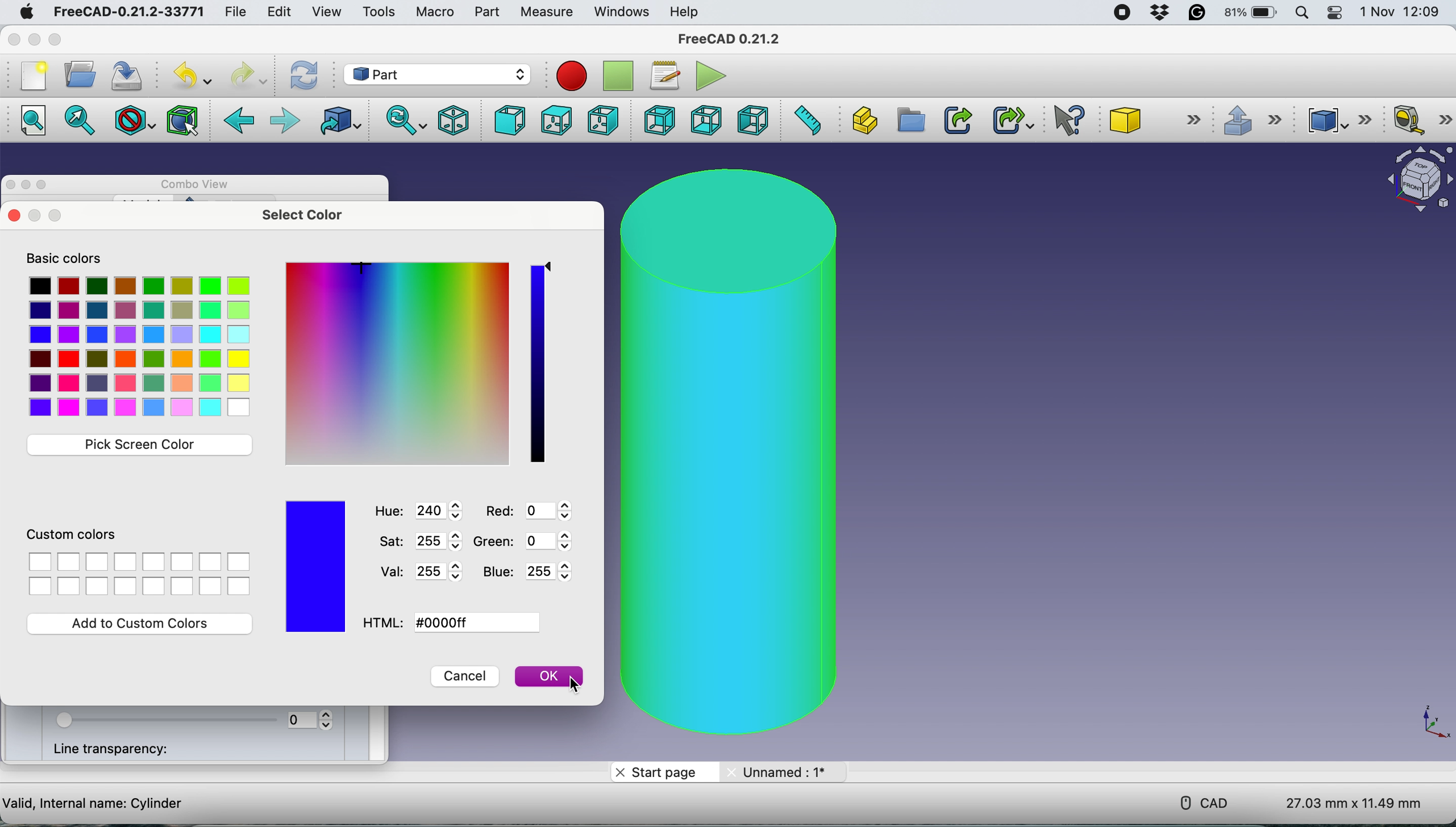 Image resolution: width=1456 pixels, height=827 pixels. Describe the element at coordinates (489, 14) in the screenshot. I see `part` at that location.